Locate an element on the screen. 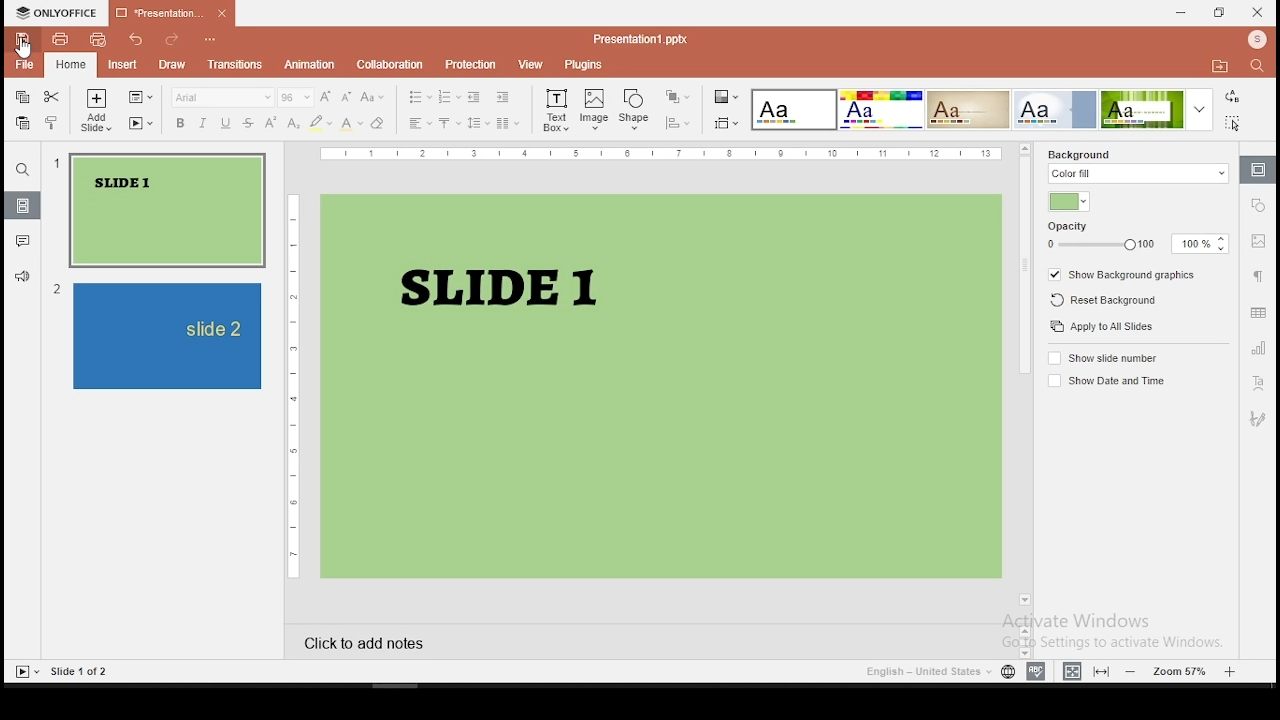  copy formatting is located at coordinates (53, 121).